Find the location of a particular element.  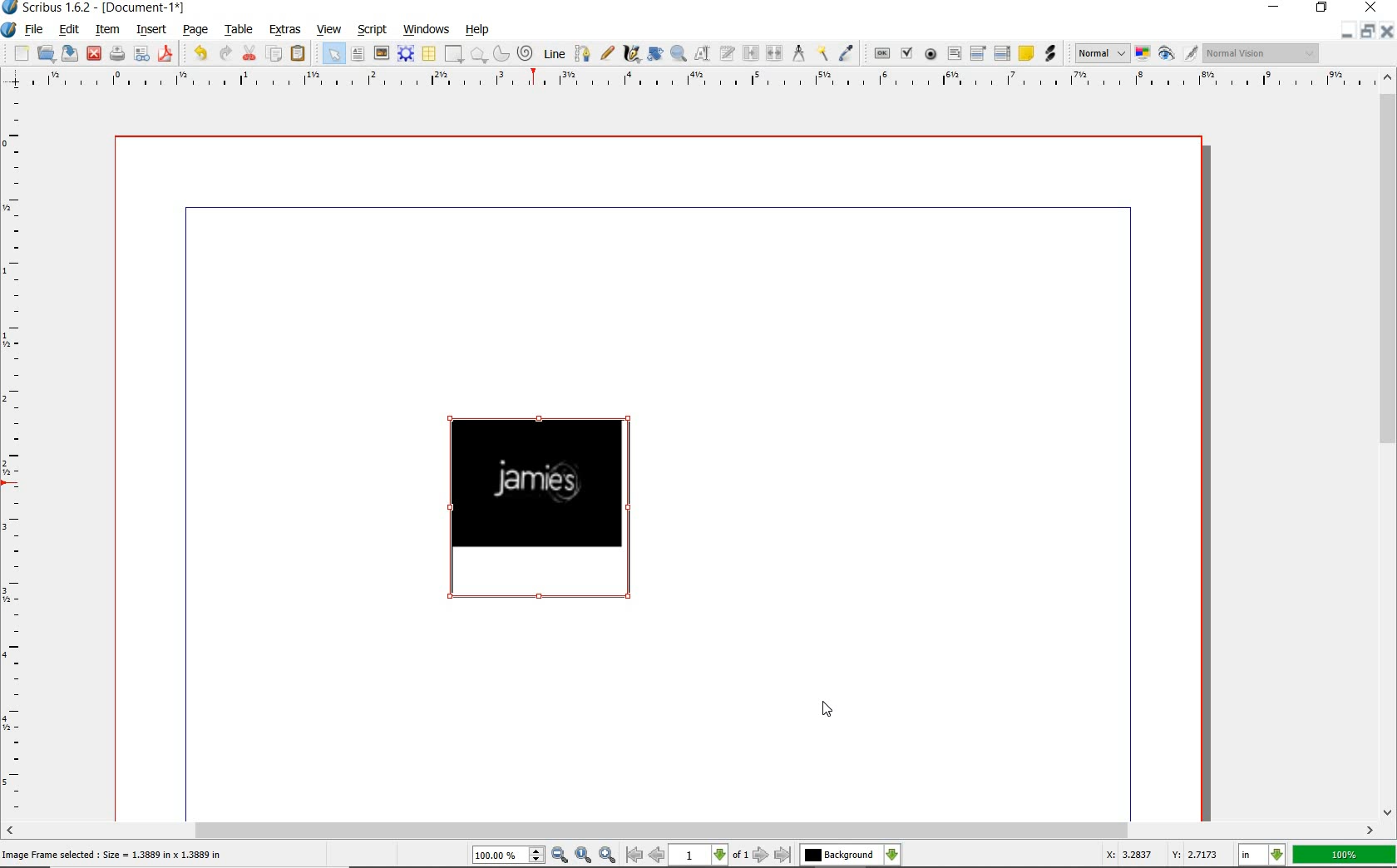

preview mode is located at coordinates (1177, 54).